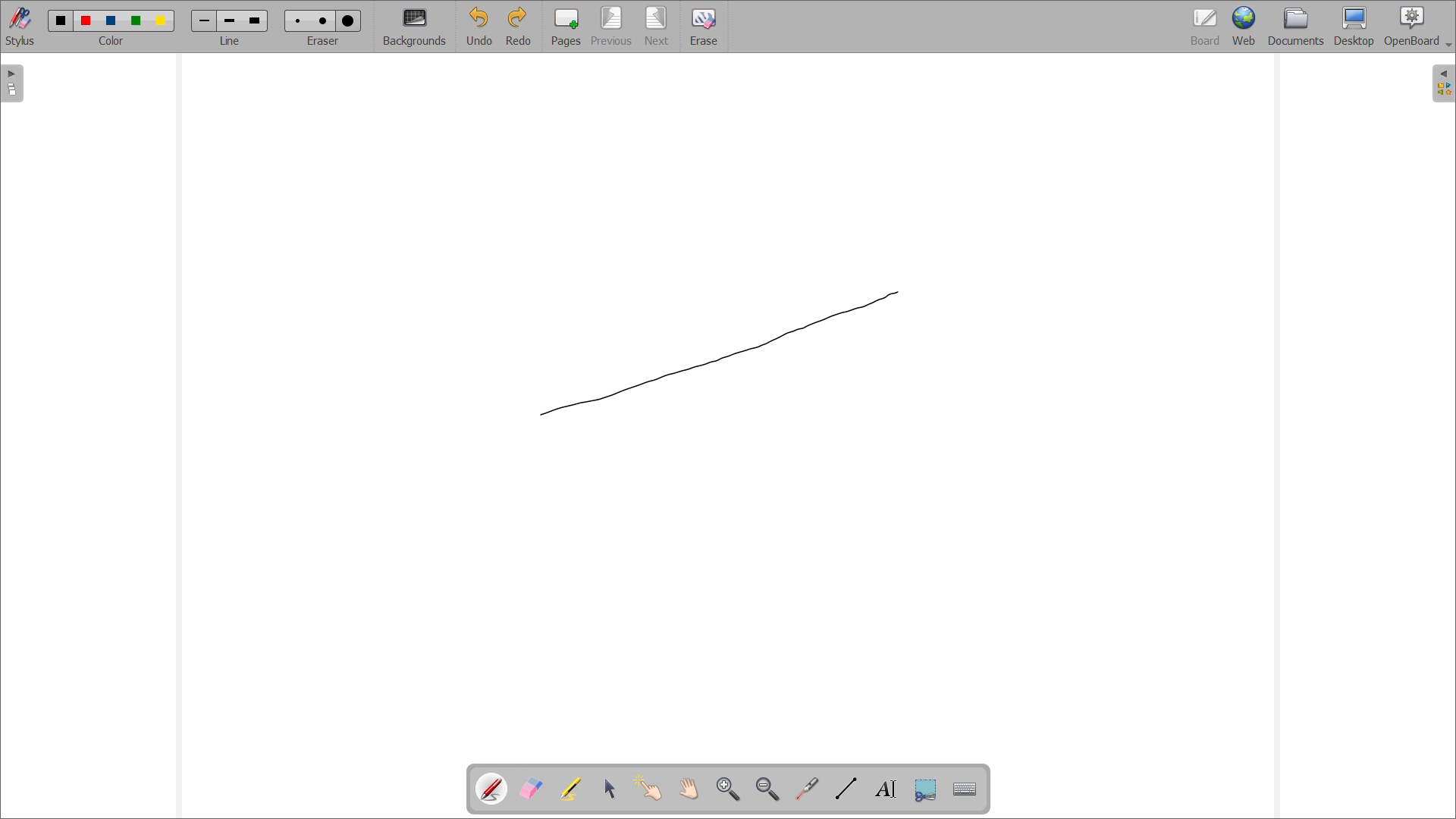 This screenshot has height=819, width=1456. Describe the element at coordinates (299, 20) in the screenshot. I see `Eraser size` at that location.